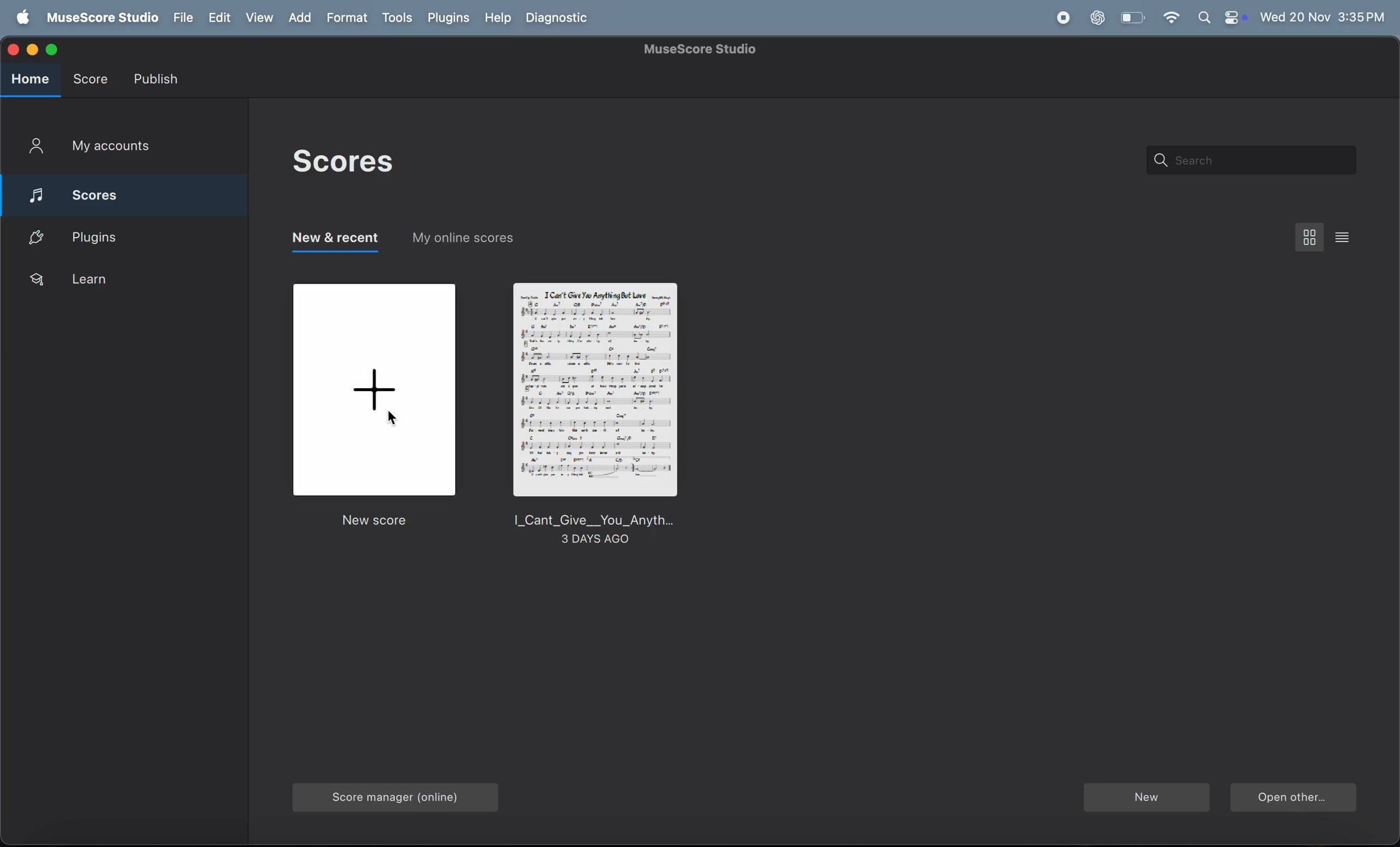  Describe the element at coordinates (1346, 236) in the screenshot. I see `list view` at that location.